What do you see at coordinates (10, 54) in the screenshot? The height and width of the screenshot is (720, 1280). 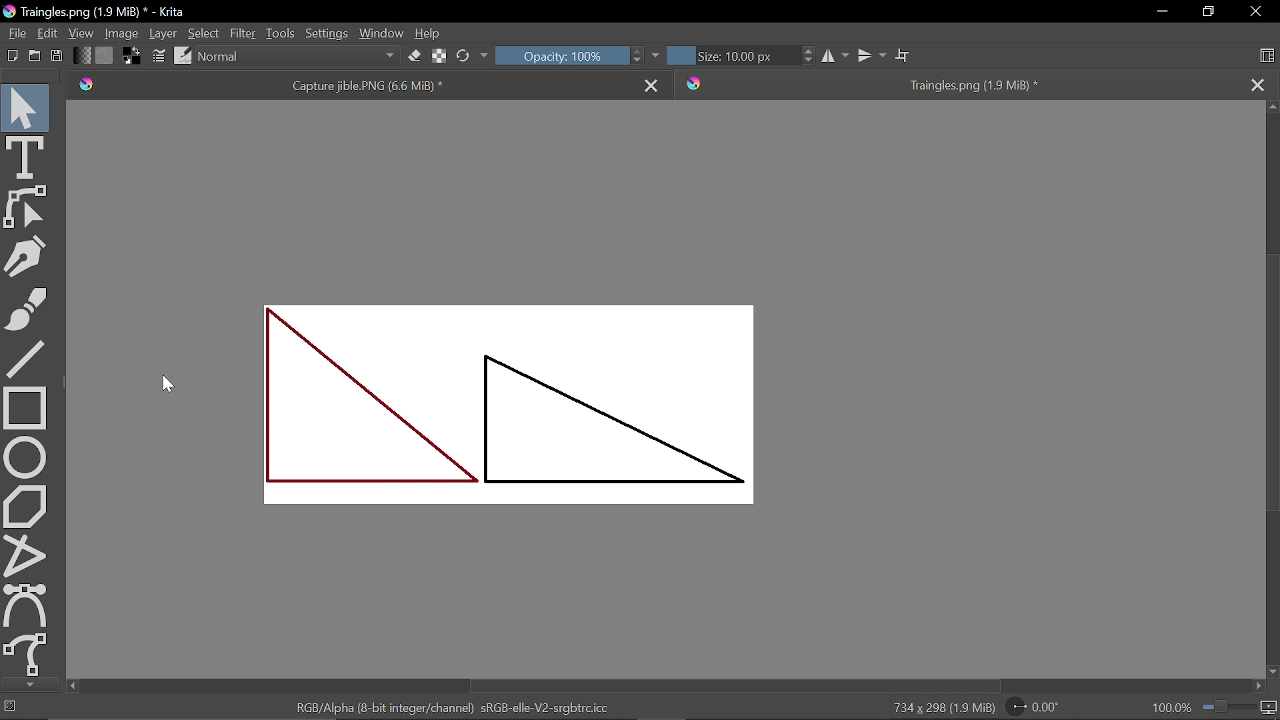 I see `New document` at bounding box center [10, 54].